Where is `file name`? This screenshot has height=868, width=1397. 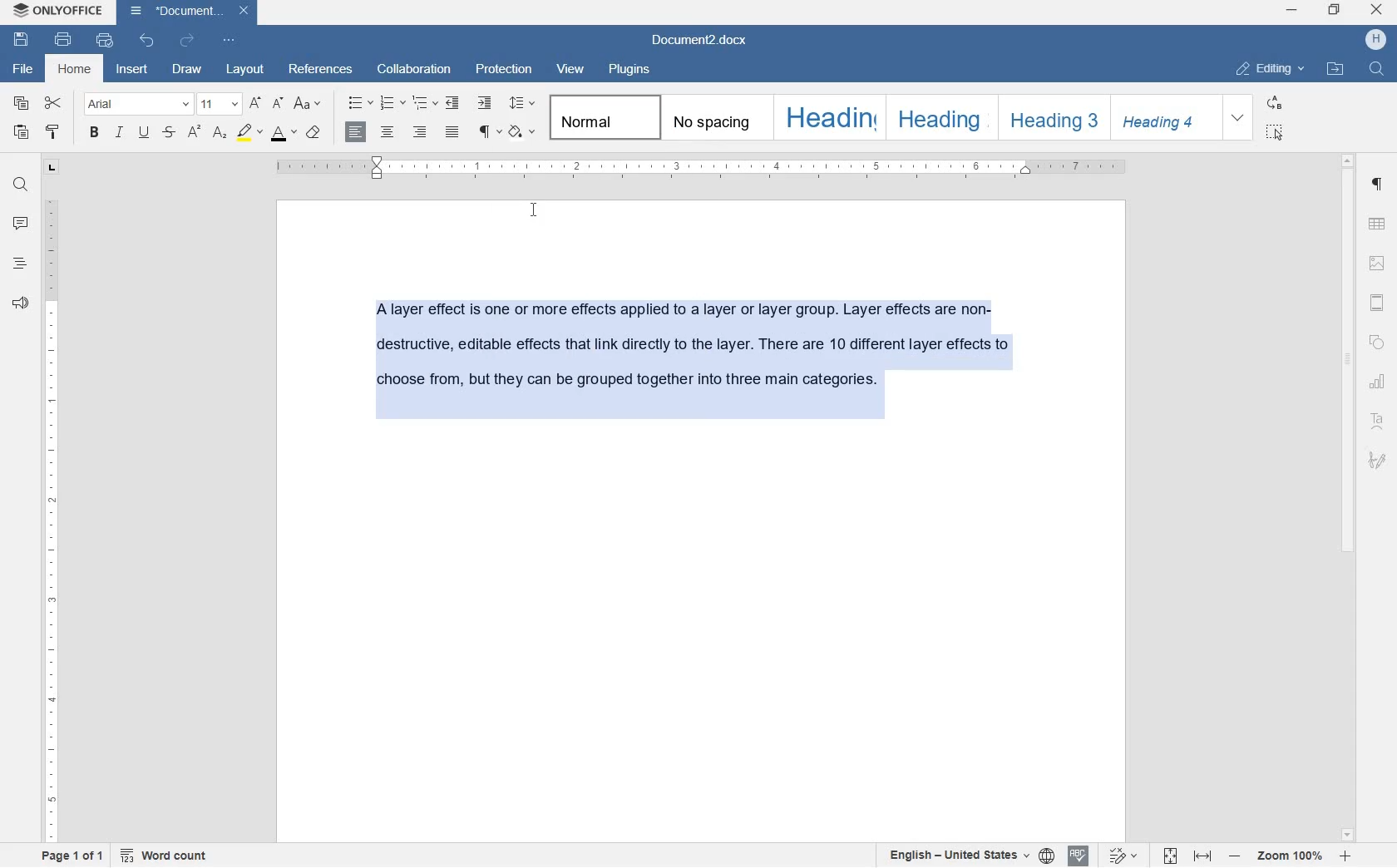
file name is located at coordinates (704, 42).